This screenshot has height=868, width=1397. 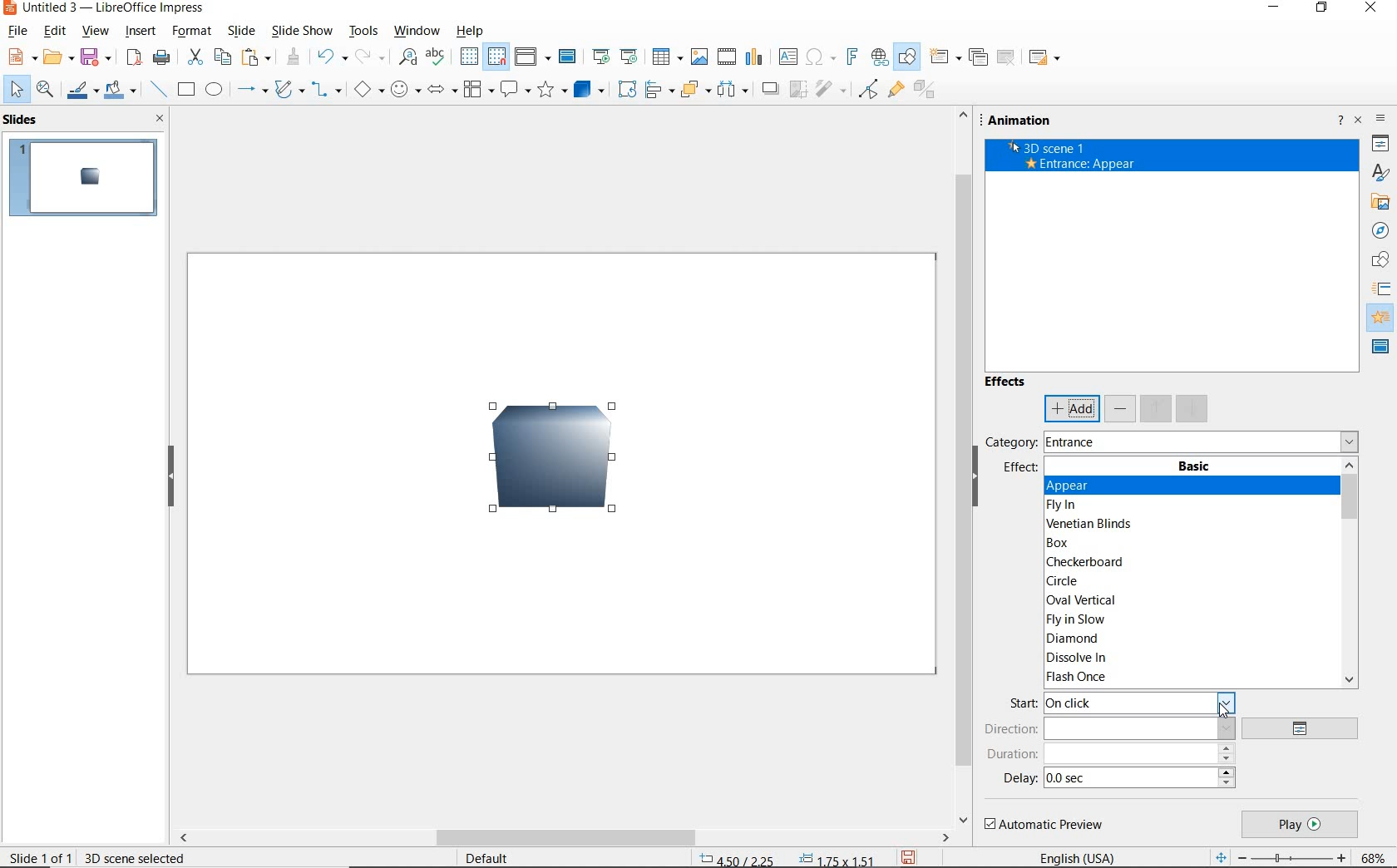 What do you see at coordinates (1086, 486) in the screenshot?
I see `APPEAR` at bounding box center [1086, 486].